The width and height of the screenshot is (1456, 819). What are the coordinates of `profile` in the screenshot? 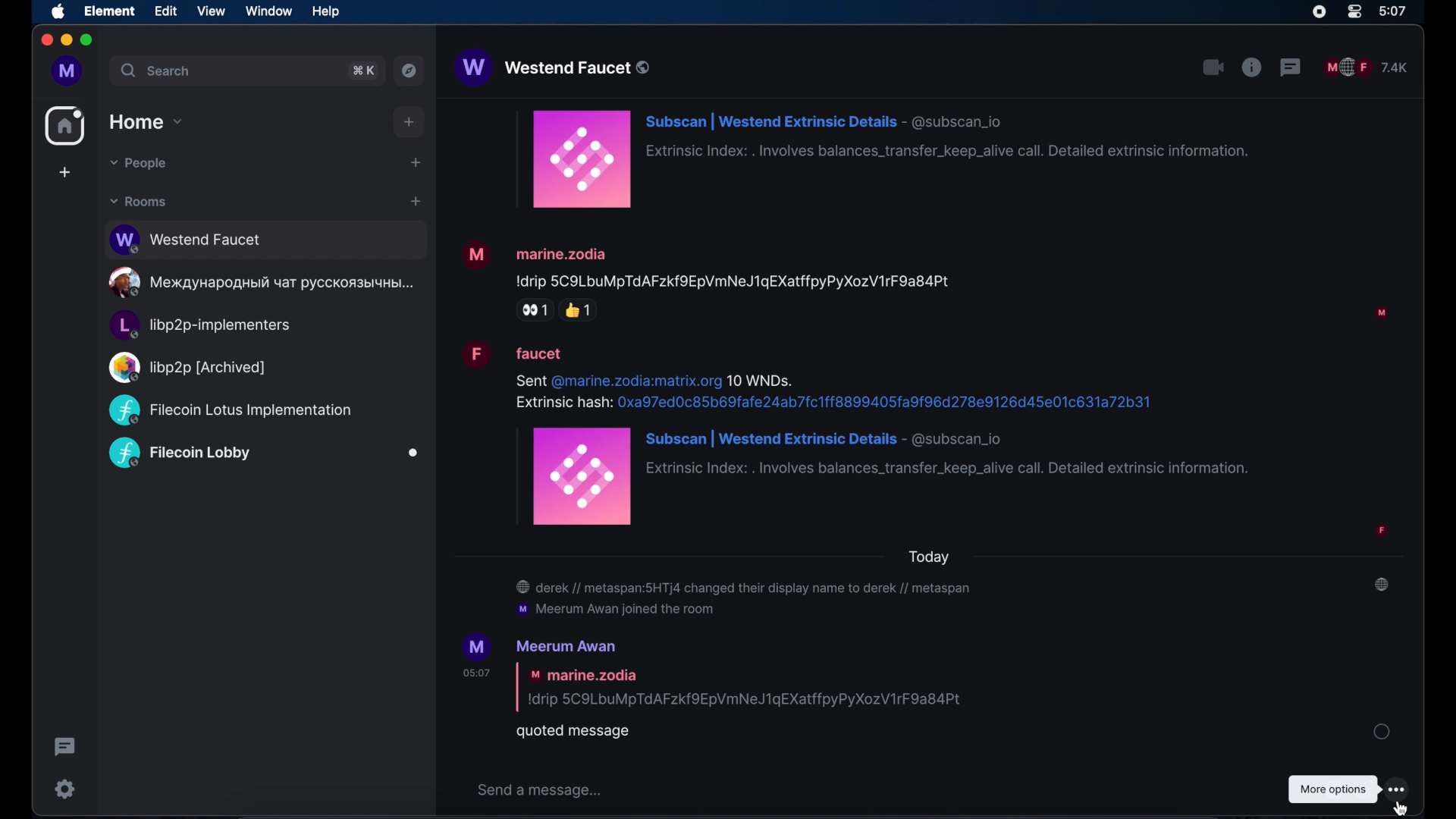 It's located at (66, 71).